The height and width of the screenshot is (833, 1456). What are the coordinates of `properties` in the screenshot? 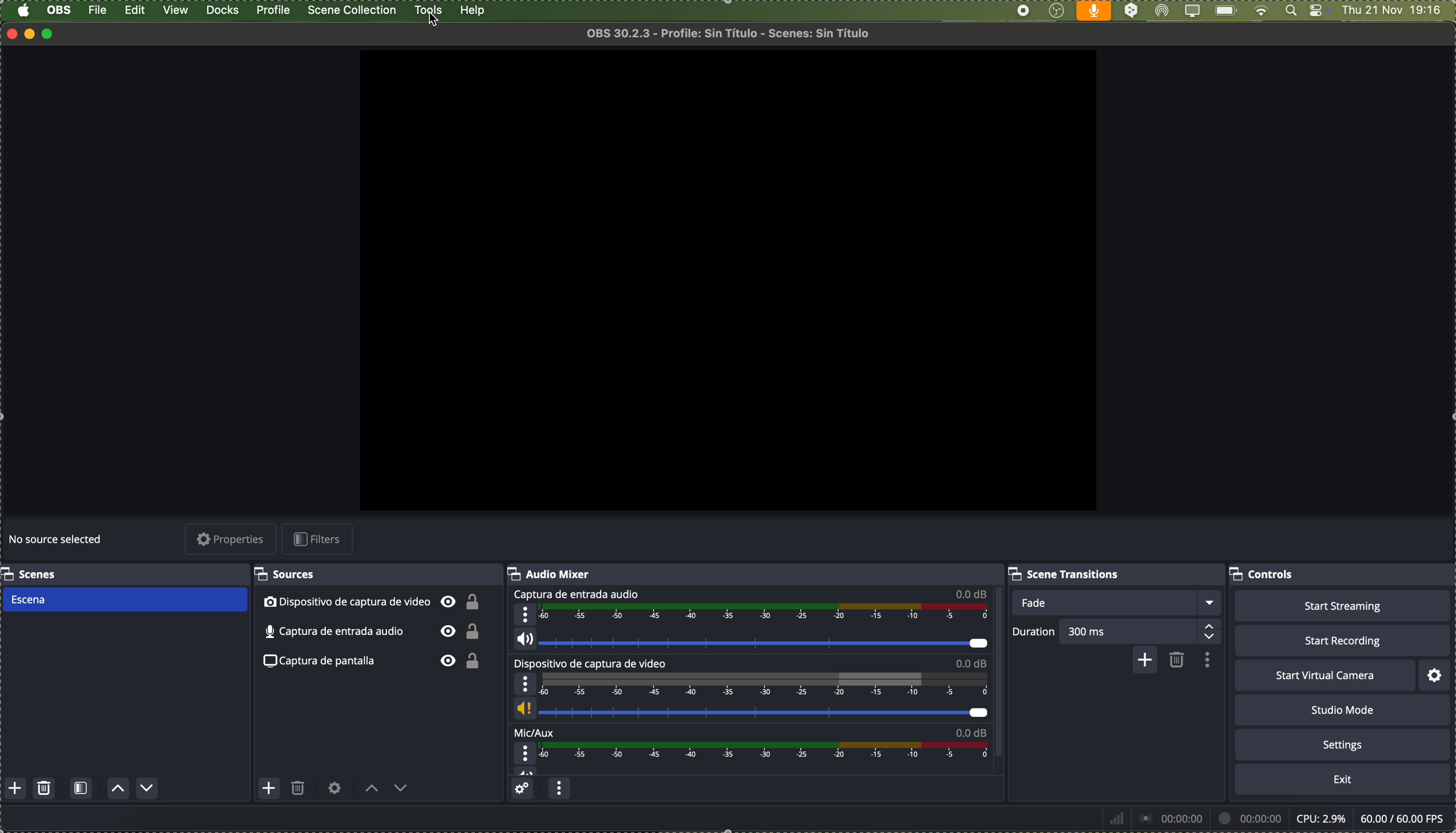 It's located at (232, 540).